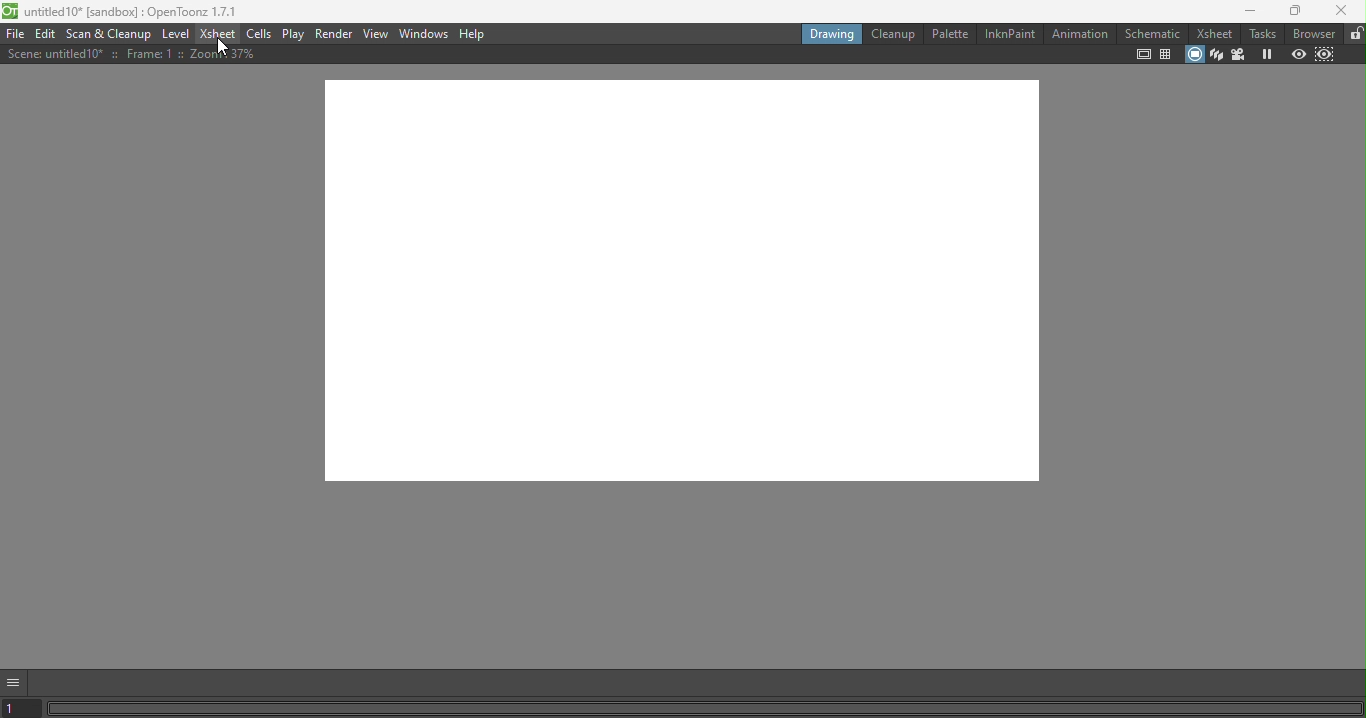  I want to click on Scene details, so click(138, 56).